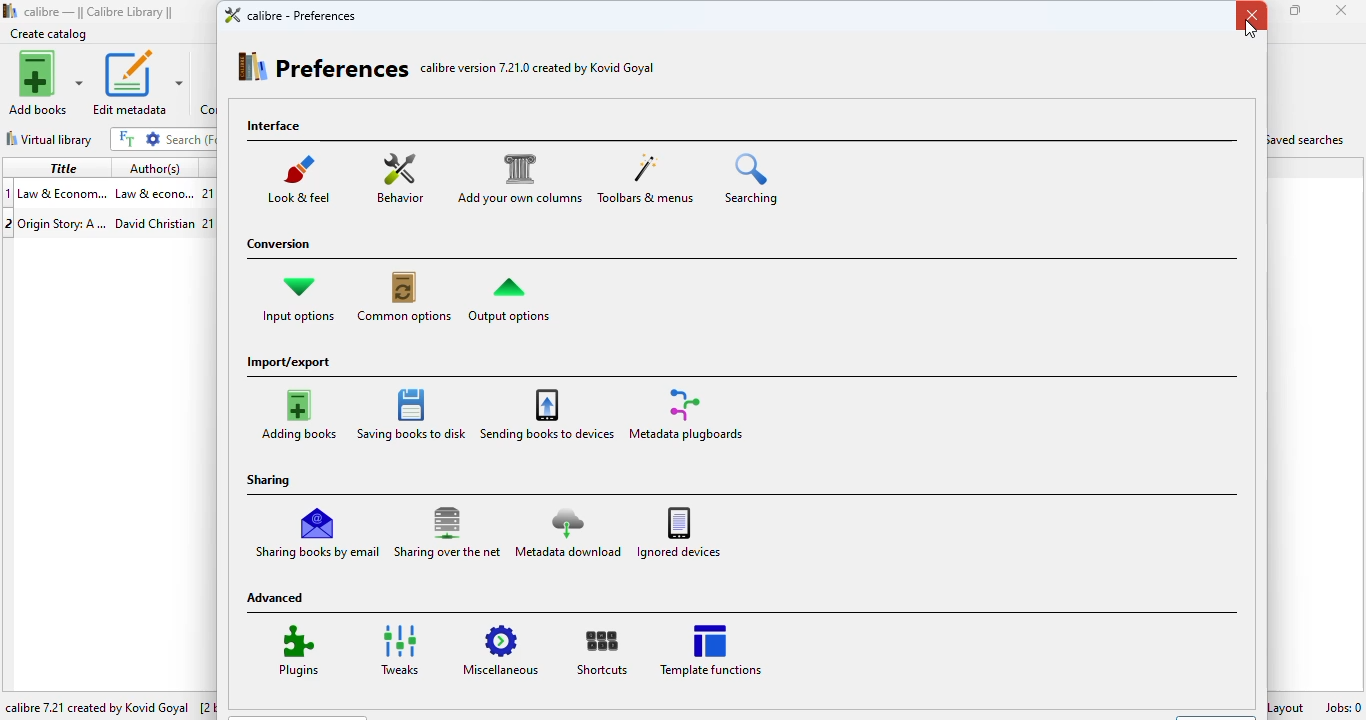 The width and height of the screenshot is (1366, 720). Describe the element at coordinates (190, 139) in the screenshot. I see `search` at that location.